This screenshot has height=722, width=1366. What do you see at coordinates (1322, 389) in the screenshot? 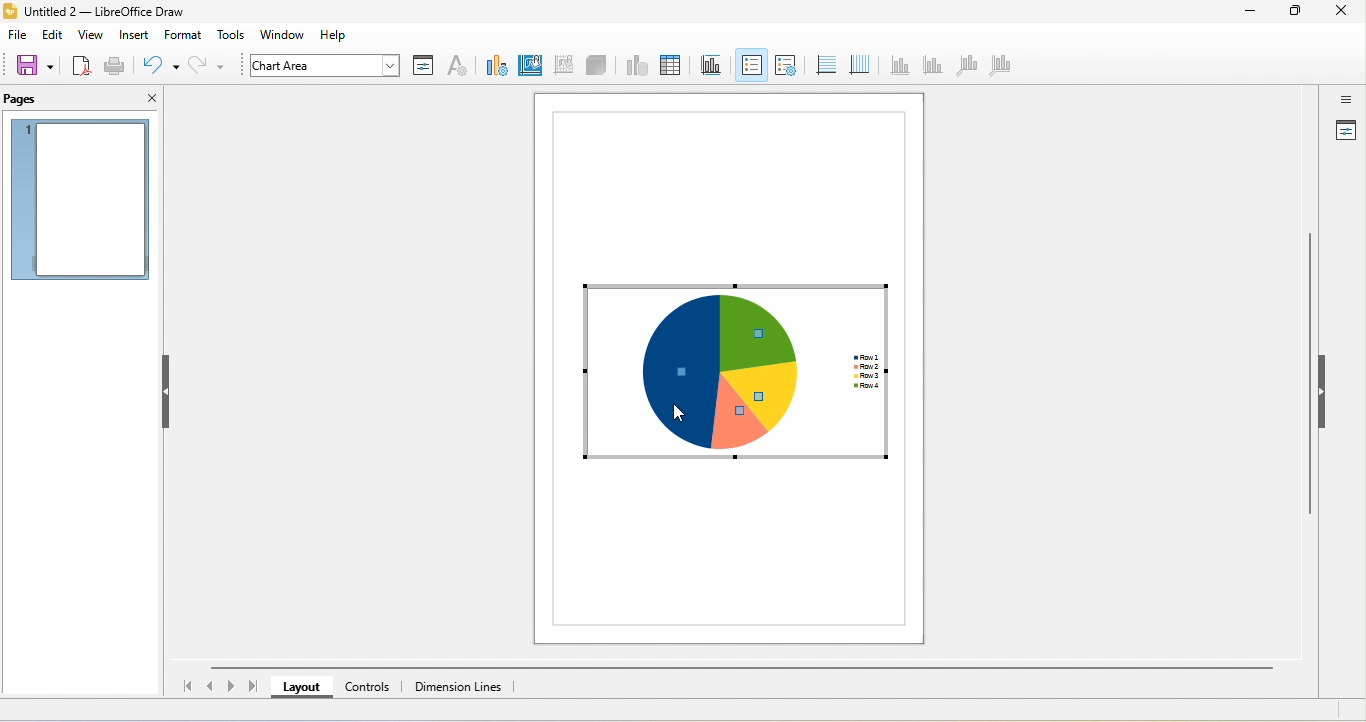
I see `hide` at bounding box center [1322, 389].